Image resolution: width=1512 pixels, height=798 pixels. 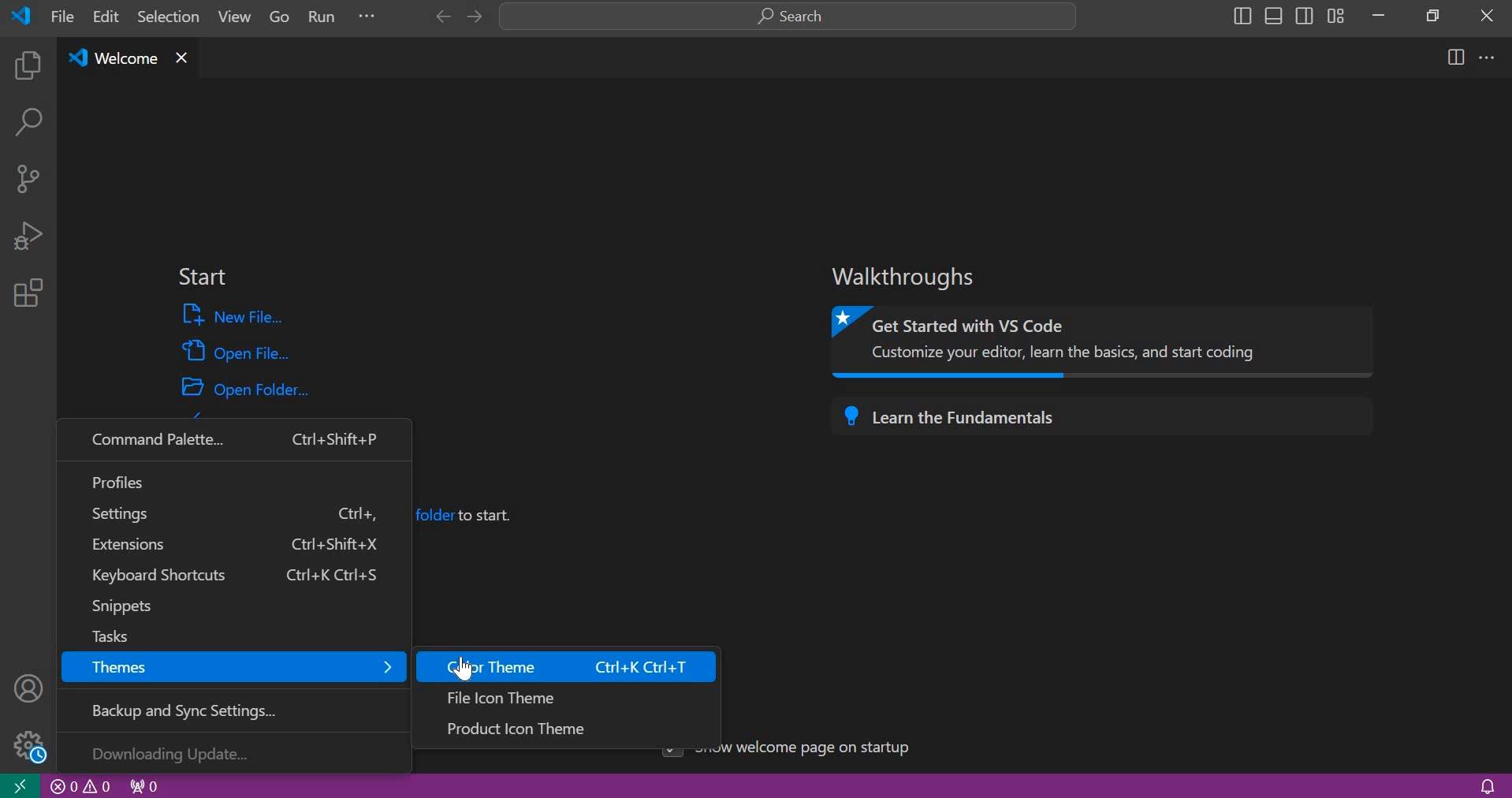 What do you see at coordinates (230, 576) in the screenshot?
I see `keyboard shortcuts` at bounding box center [230, 576].